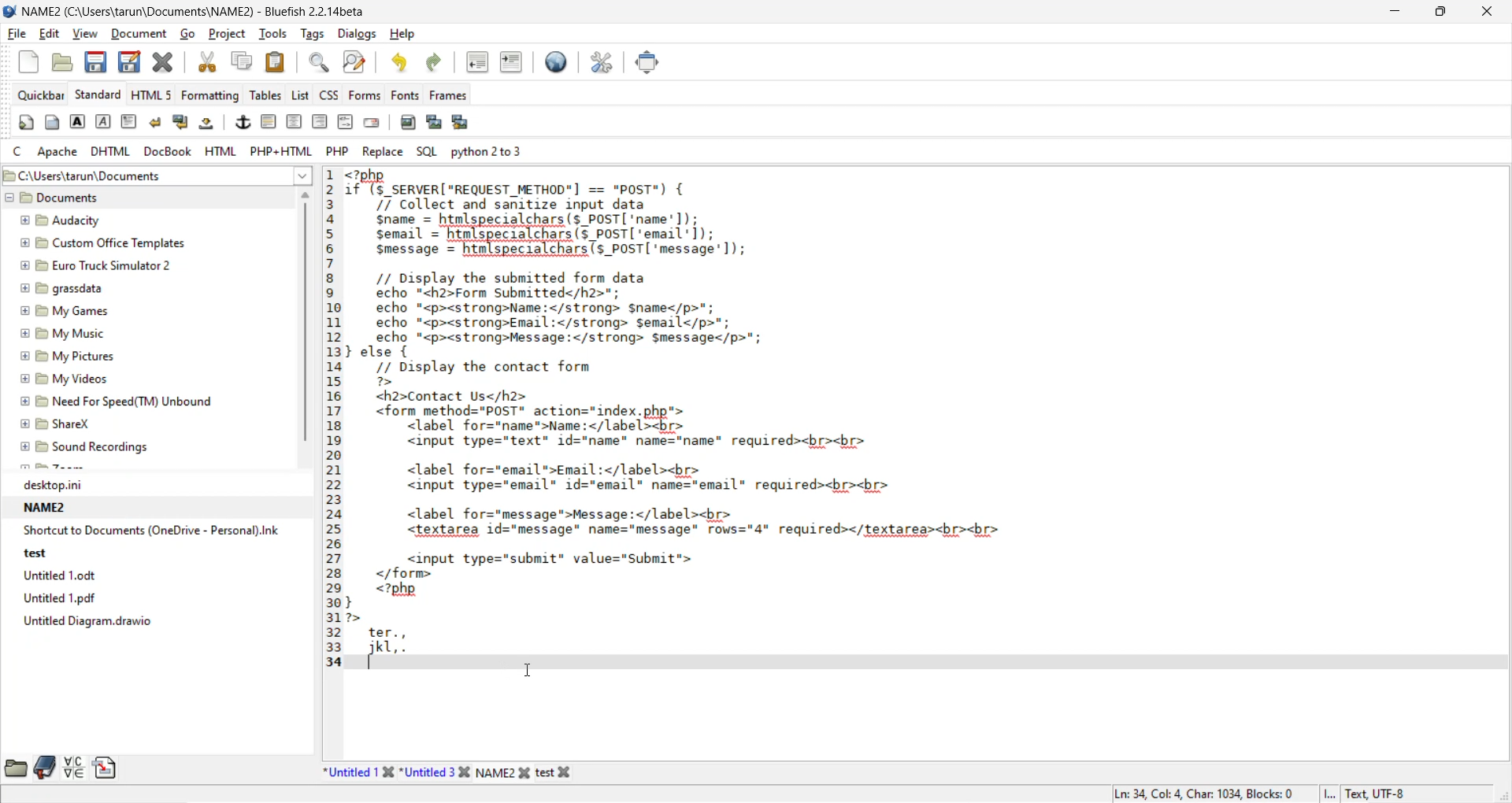  What do you see at coordinates (525, 672) in the screenshot?
I see `cursor` at bounding box center [525, 672].